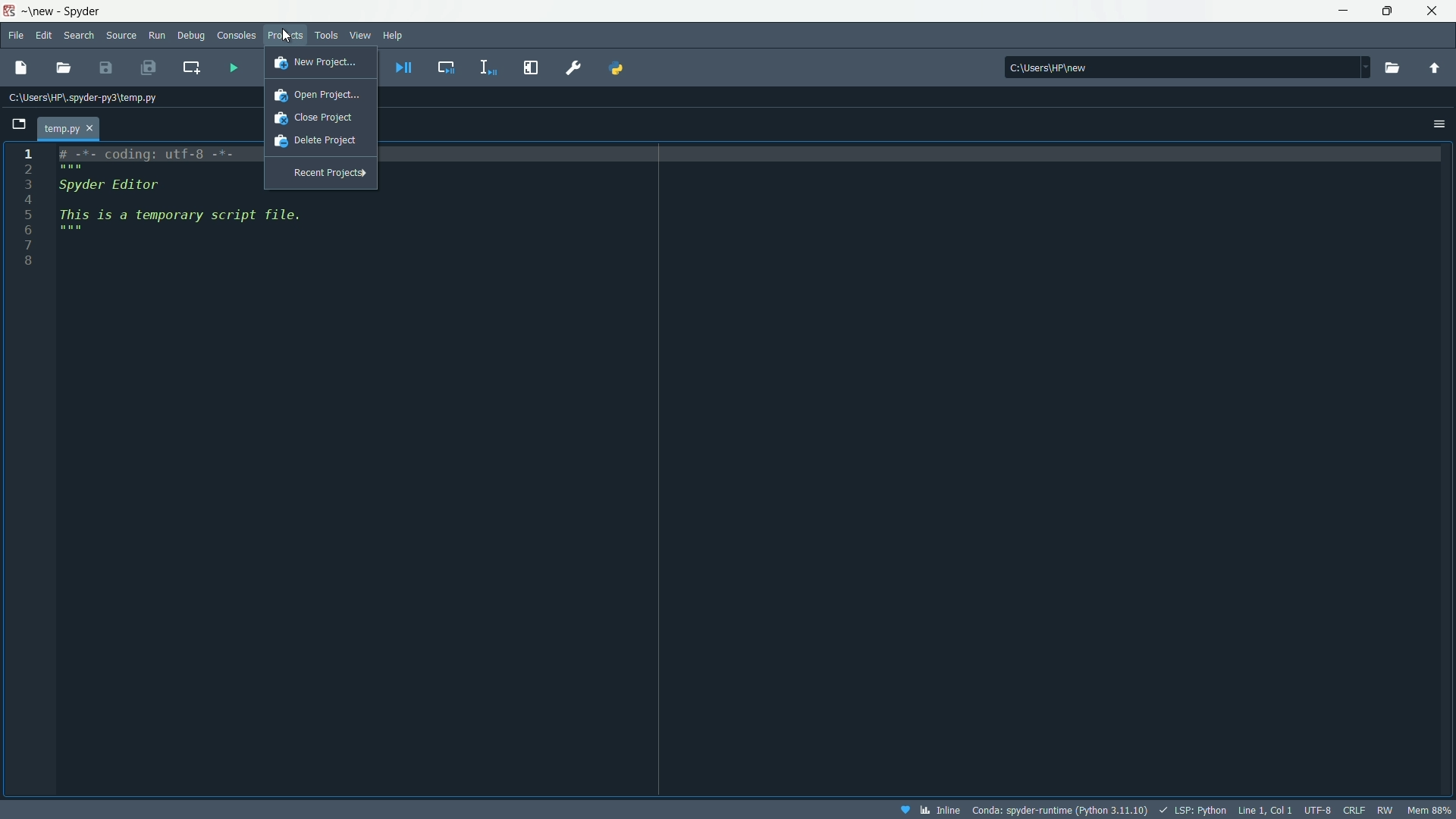  I want to click on Create new at the current line , so click(193, 71).